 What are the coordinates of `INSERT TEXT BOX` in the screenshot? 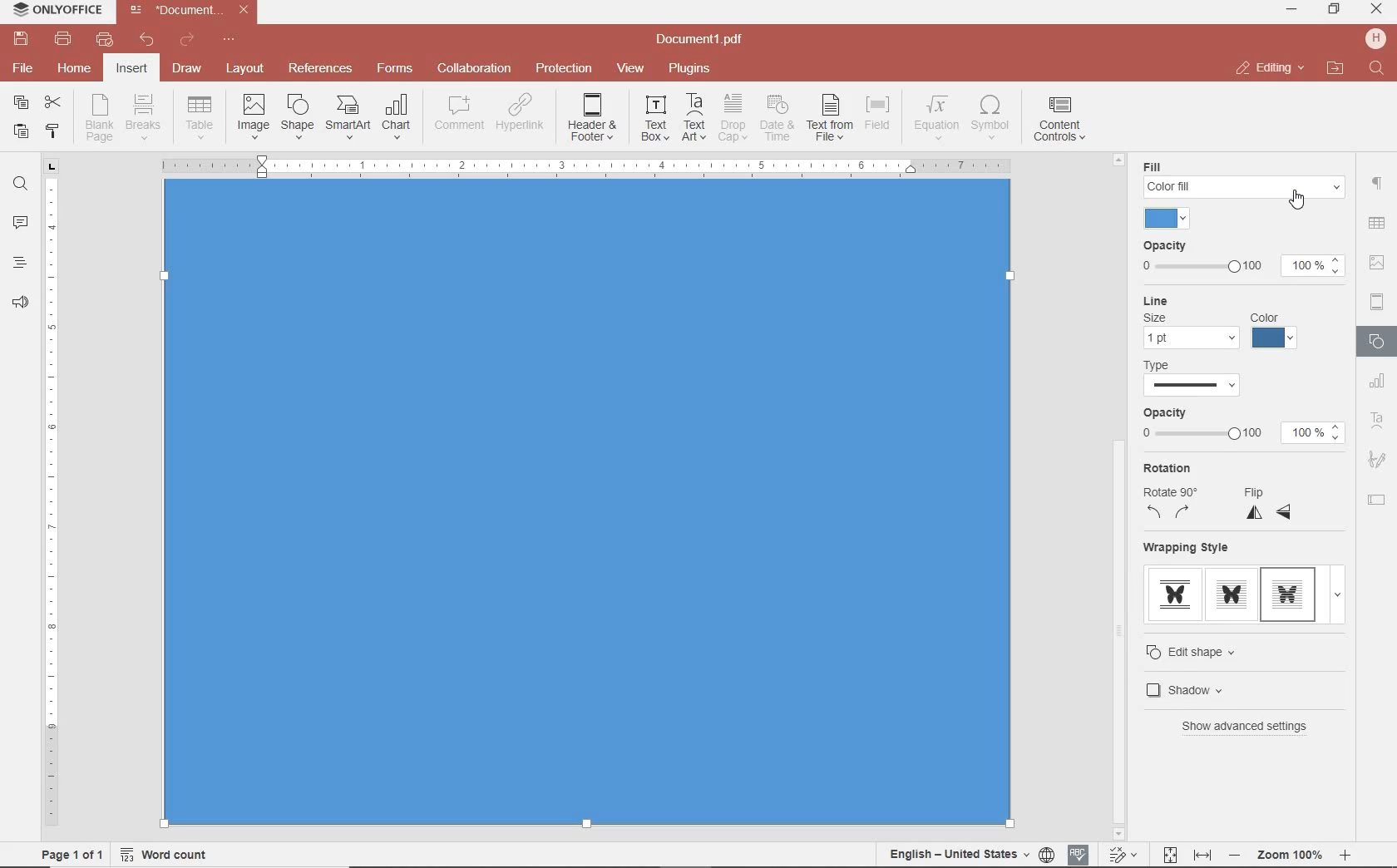 It's located at (654, 117).